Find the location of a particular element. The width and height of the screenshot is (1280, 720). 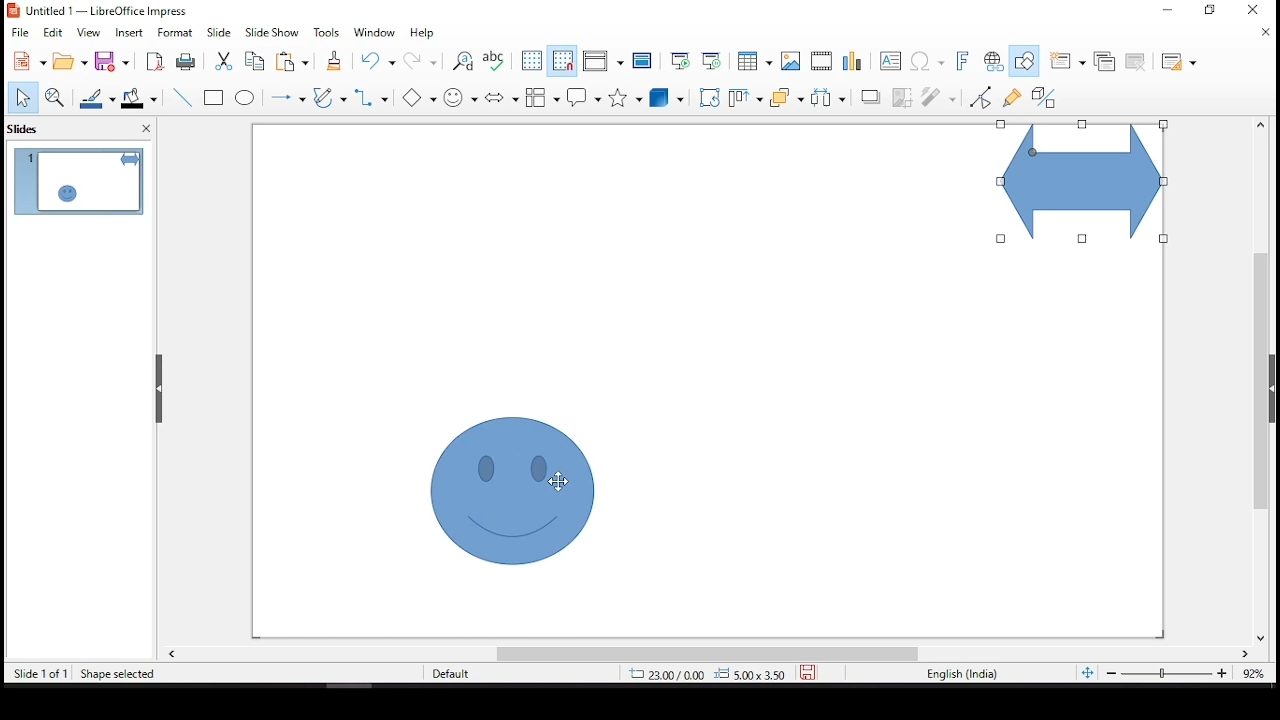

print is located at coordinates (185, 62).